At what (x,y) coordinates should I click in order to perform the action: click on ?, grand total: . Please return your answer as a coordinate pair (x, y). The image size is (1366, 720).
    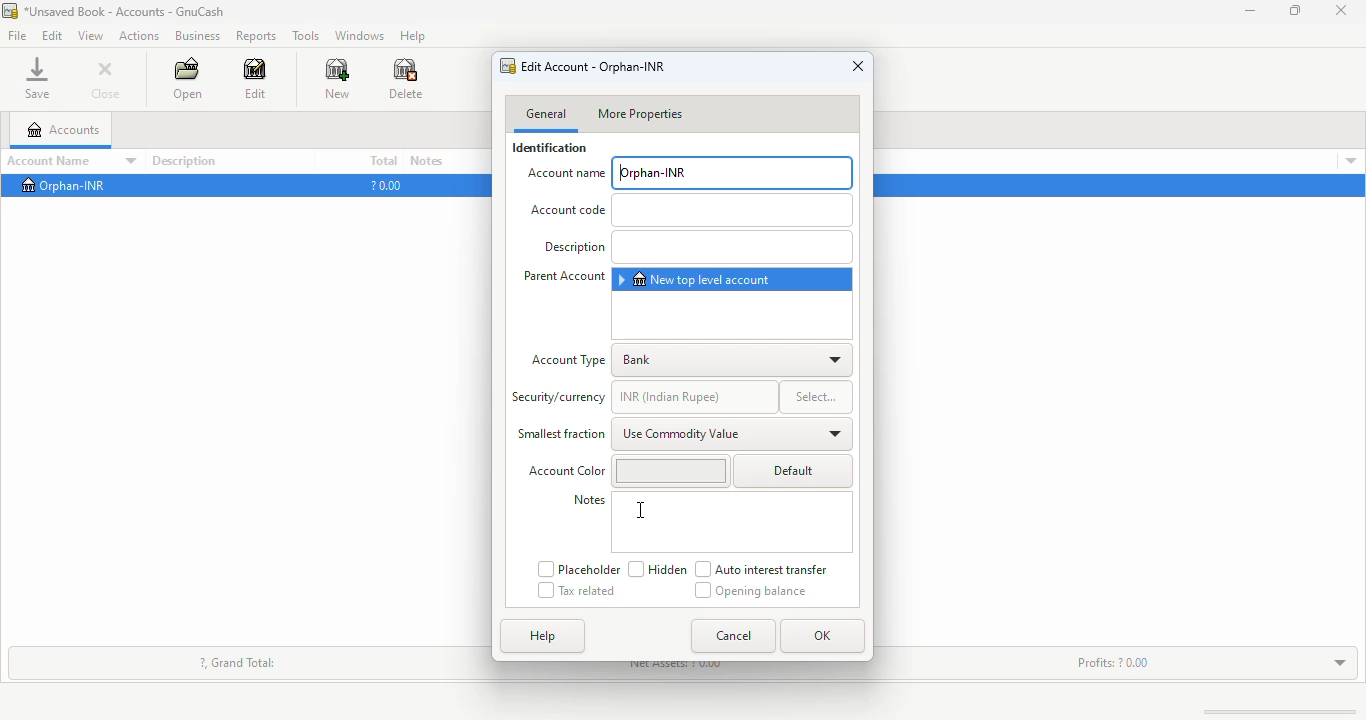
    Looking at the image, I should click on (238, 663).